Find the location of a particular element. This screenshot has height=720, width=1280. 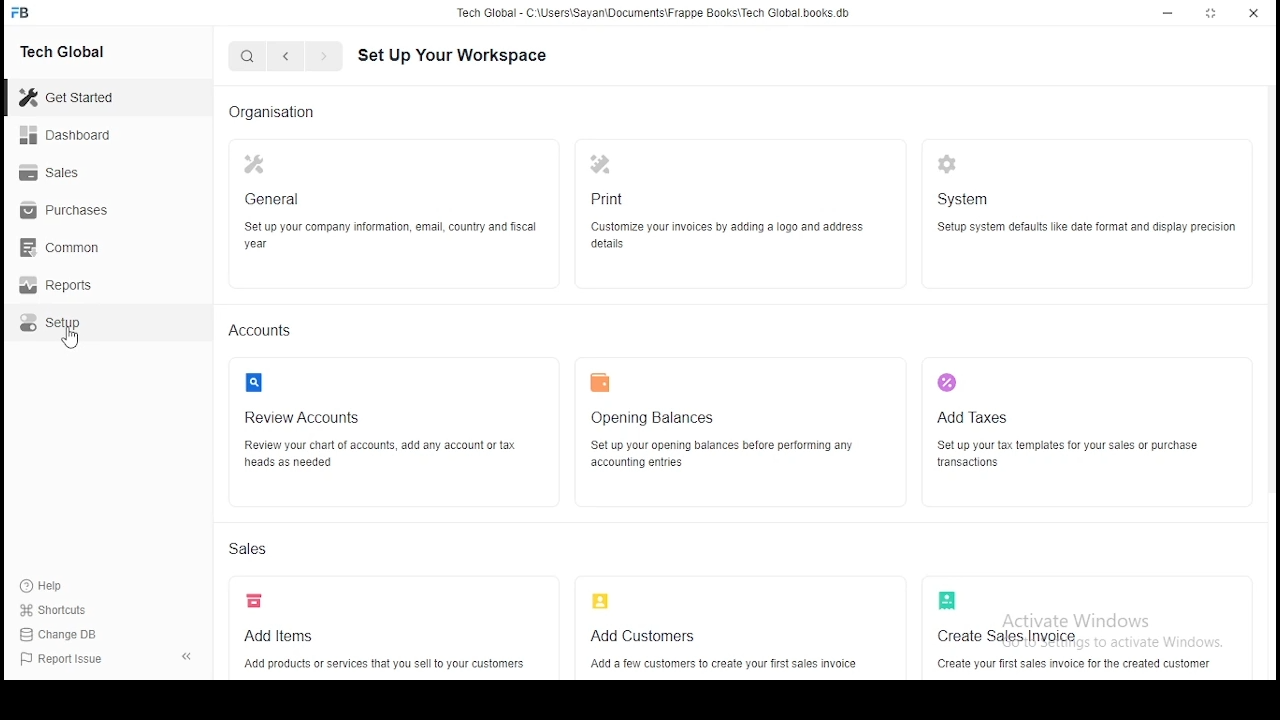

close  is located at coordinates (1252, 14).